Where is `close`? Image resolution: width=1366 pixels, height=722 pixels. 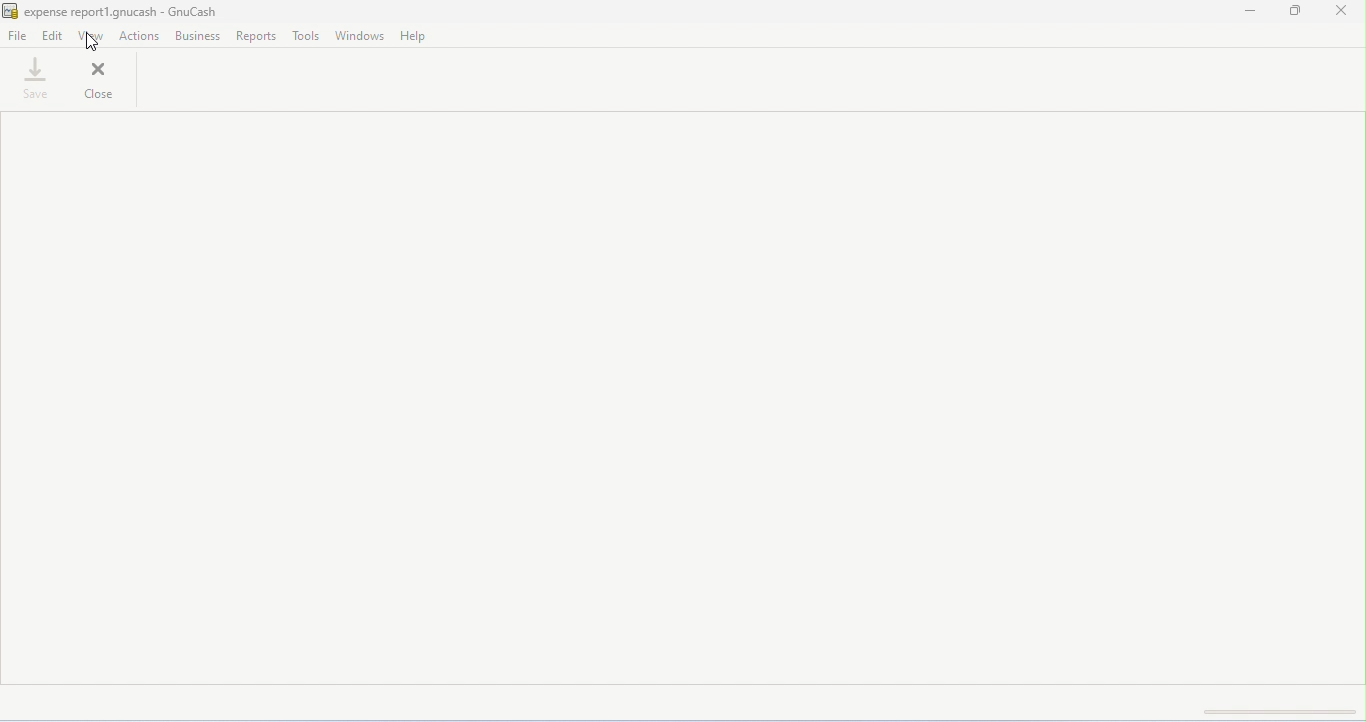
close is located at coordinates (1340, 11).